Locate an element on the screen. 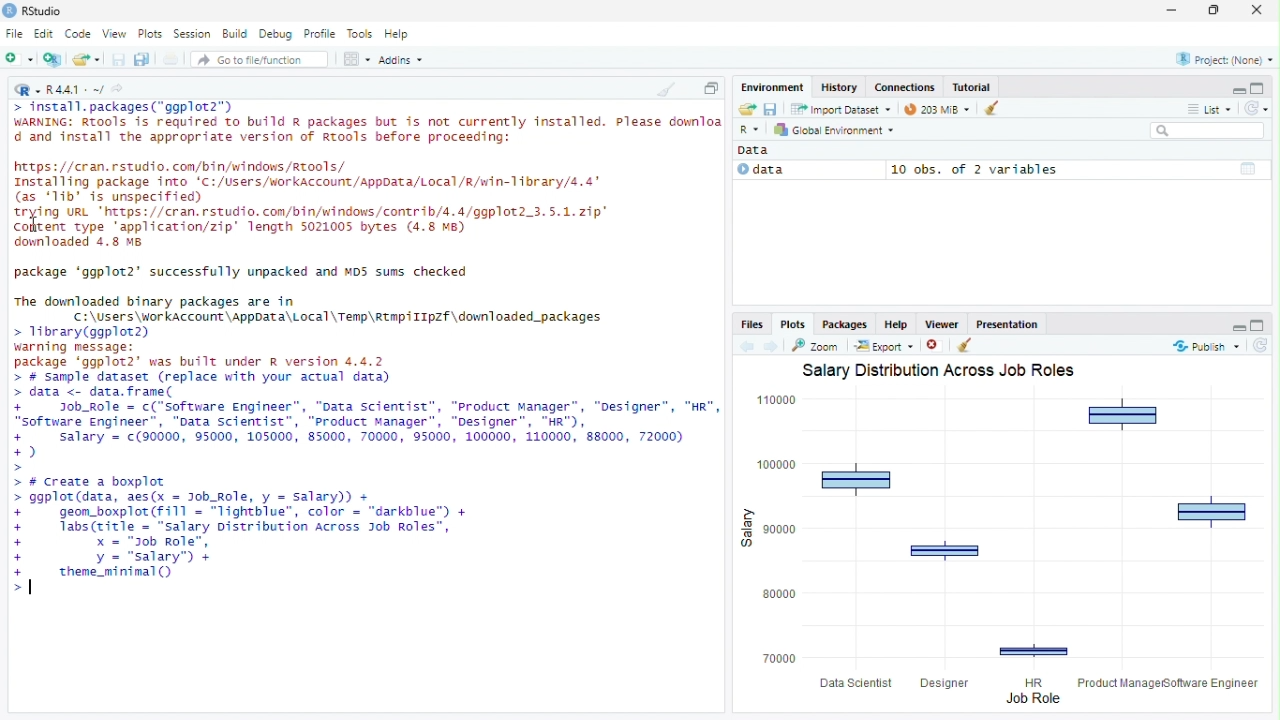  Environment is located at coordinates (773, 87).